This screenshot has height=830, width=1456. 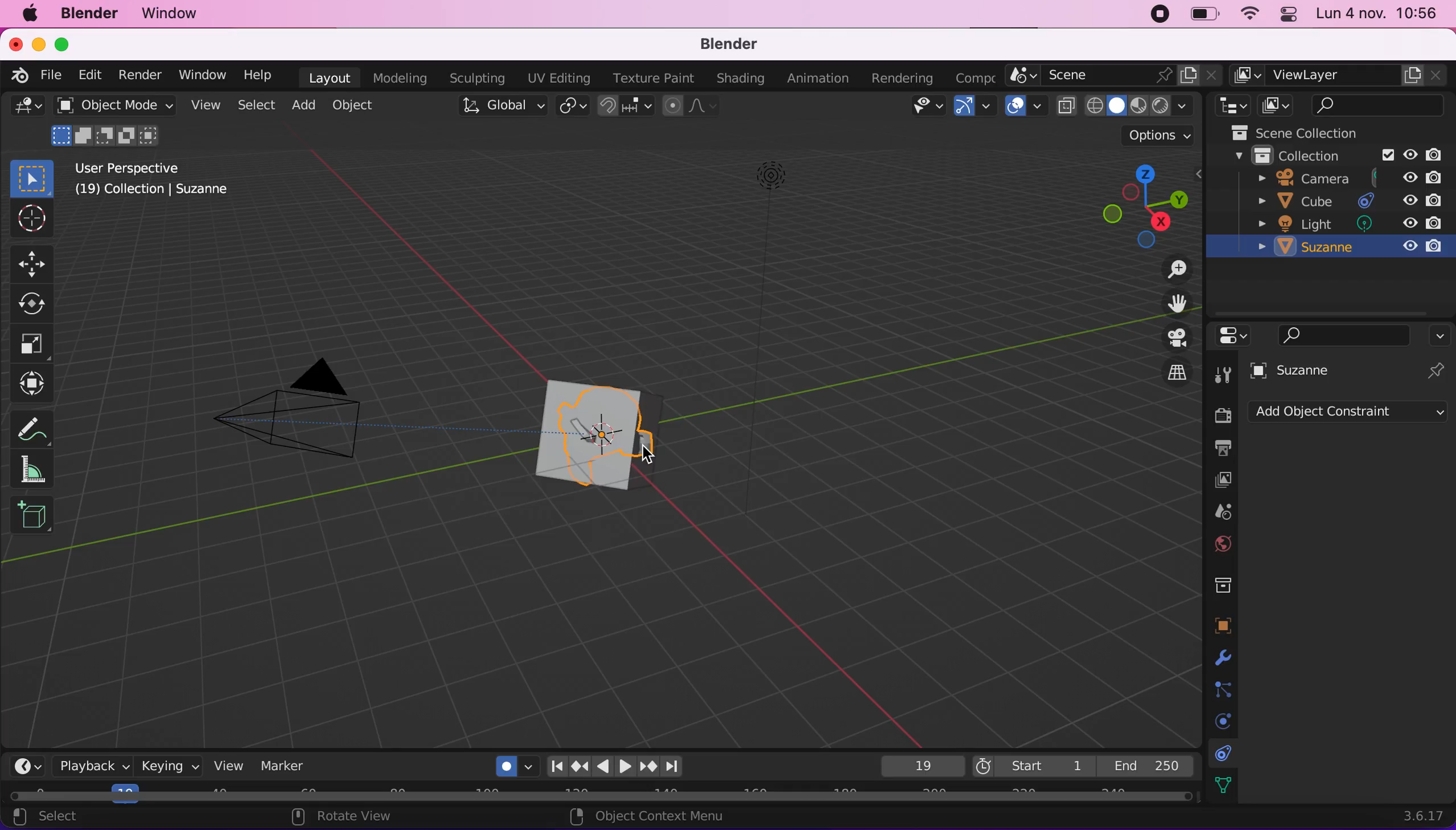 I want to click on modeling, so click(x=401, y=78).